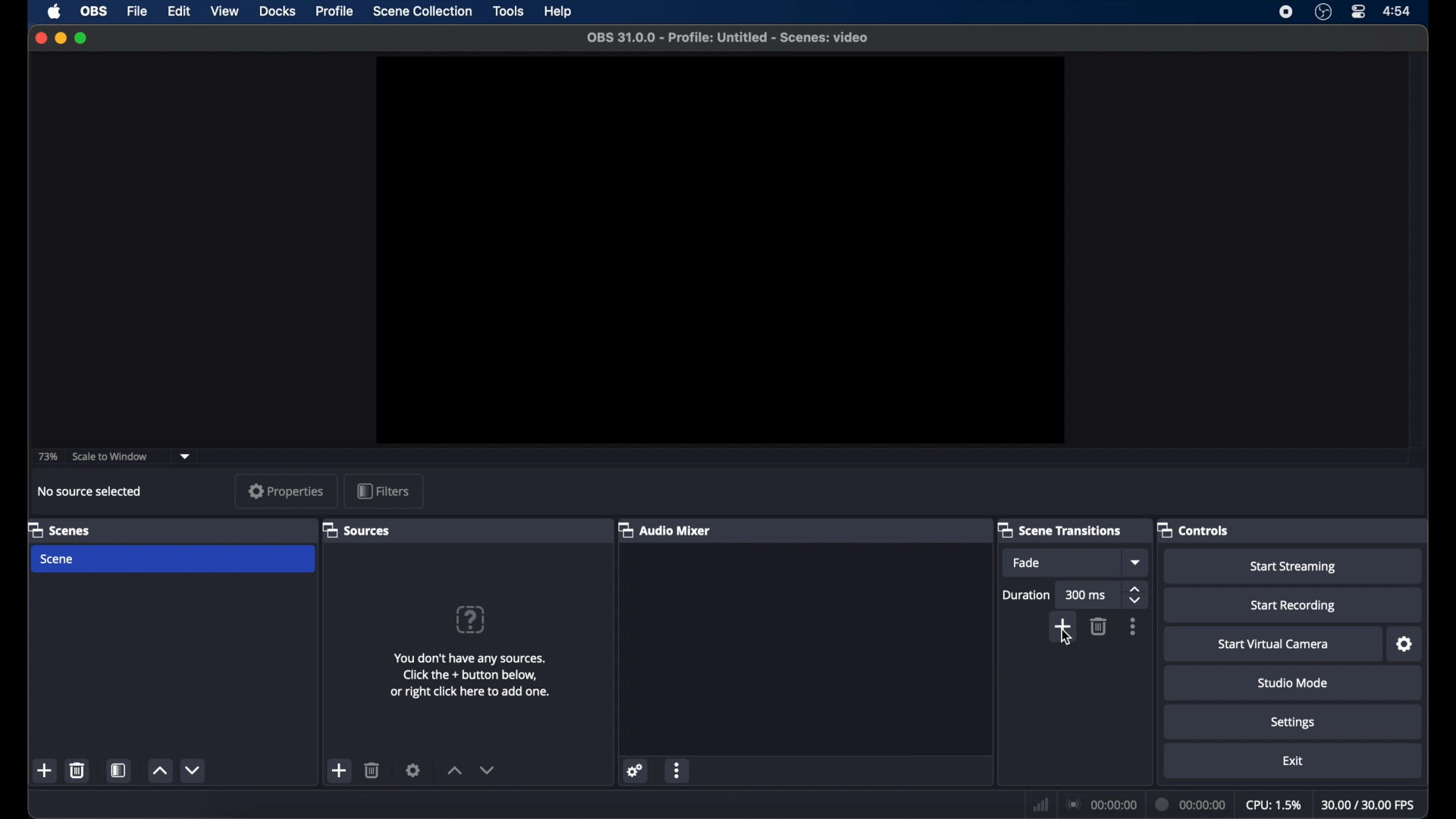 The width and height of the screenshot is (1456, 819). What do you see at coordinates (558, 11) in the screenshot?
I see `help` at bounding box center [558, 11].